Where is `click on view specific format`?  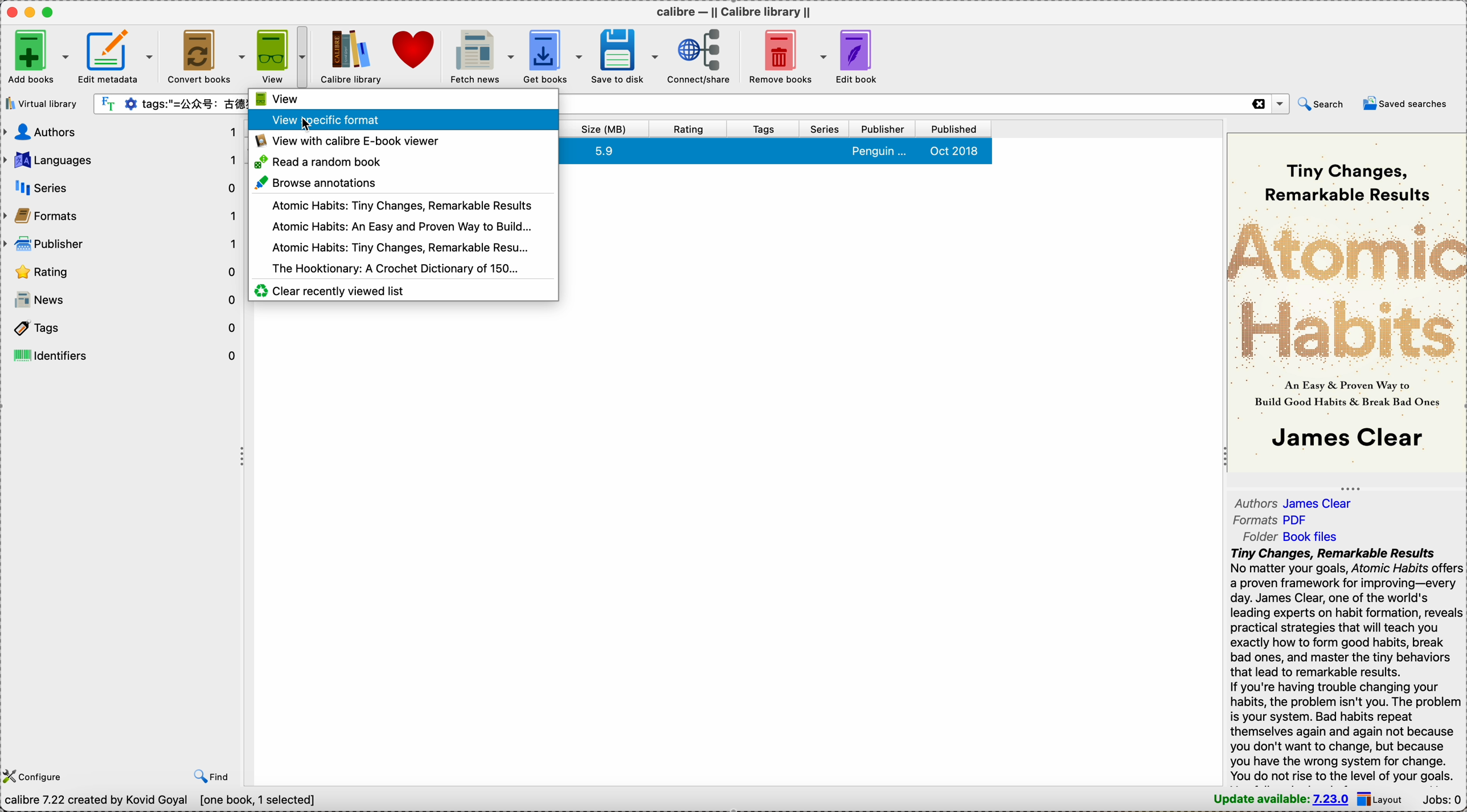
click on view specific format is located at coordinates (274, 120).